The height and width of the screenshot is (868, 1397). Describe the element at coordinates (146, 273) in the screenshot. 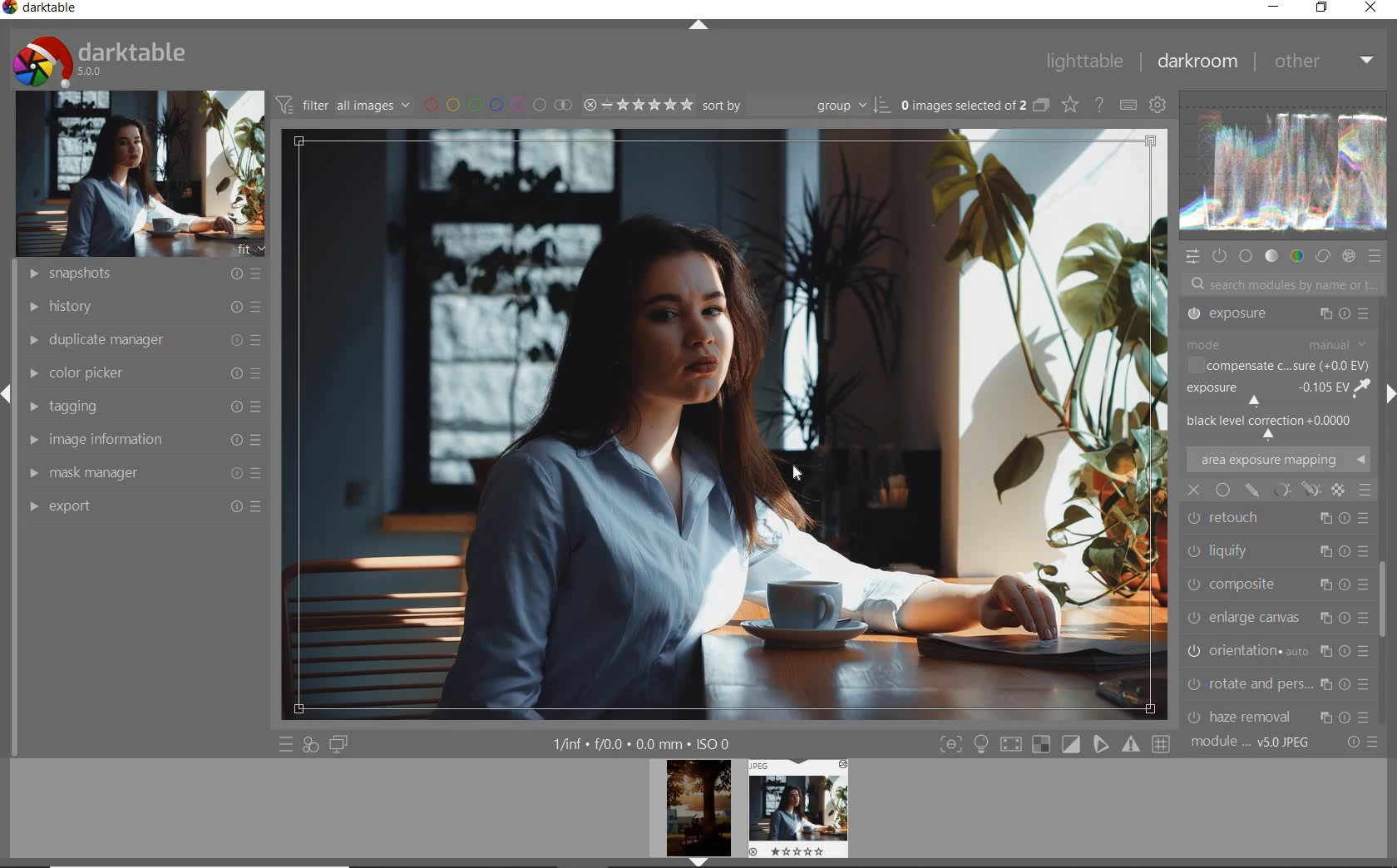

I see `SNAPSHOTS` at that location.